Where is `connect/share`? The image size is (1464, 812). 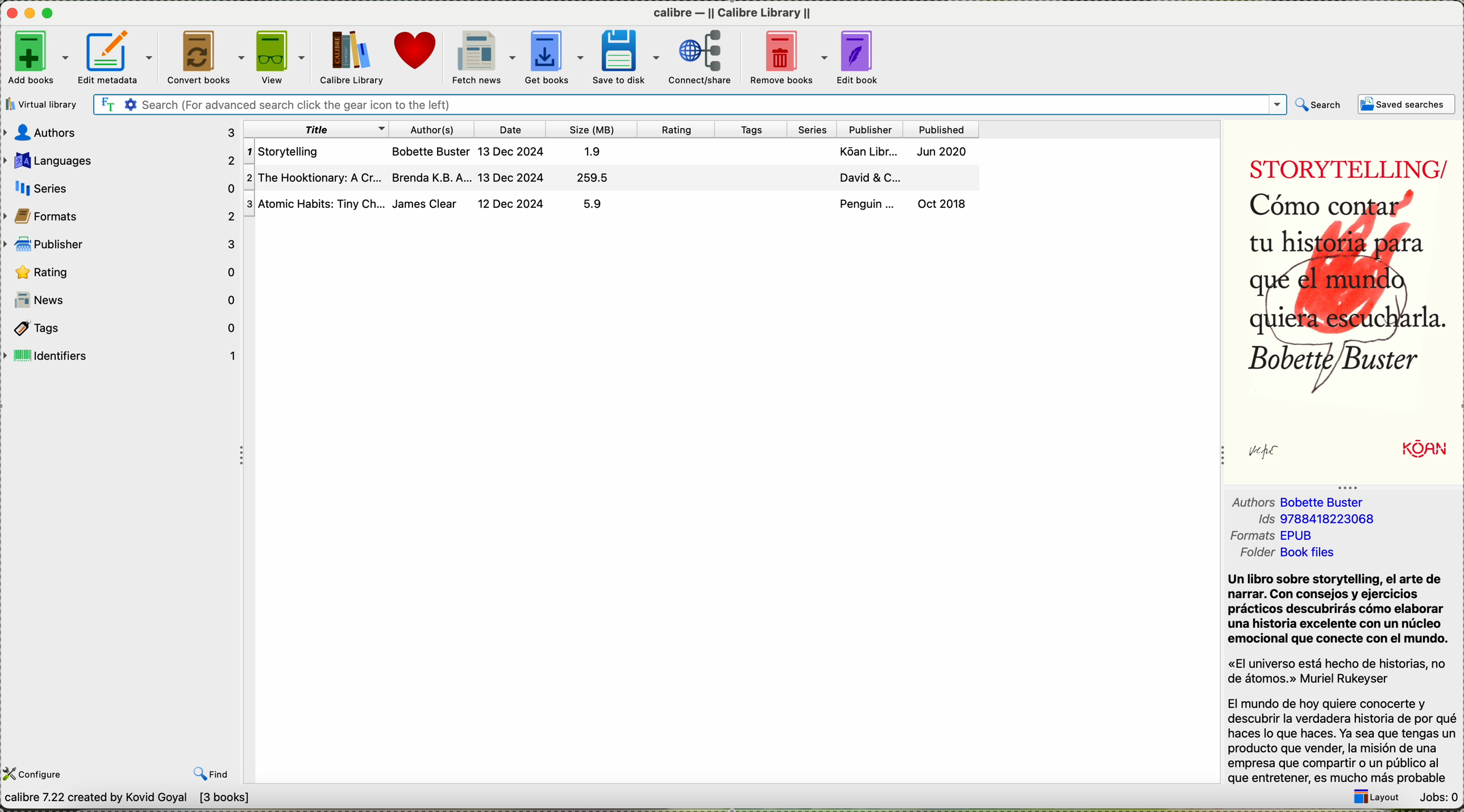
connect/share is located at coordinates (702, 56).